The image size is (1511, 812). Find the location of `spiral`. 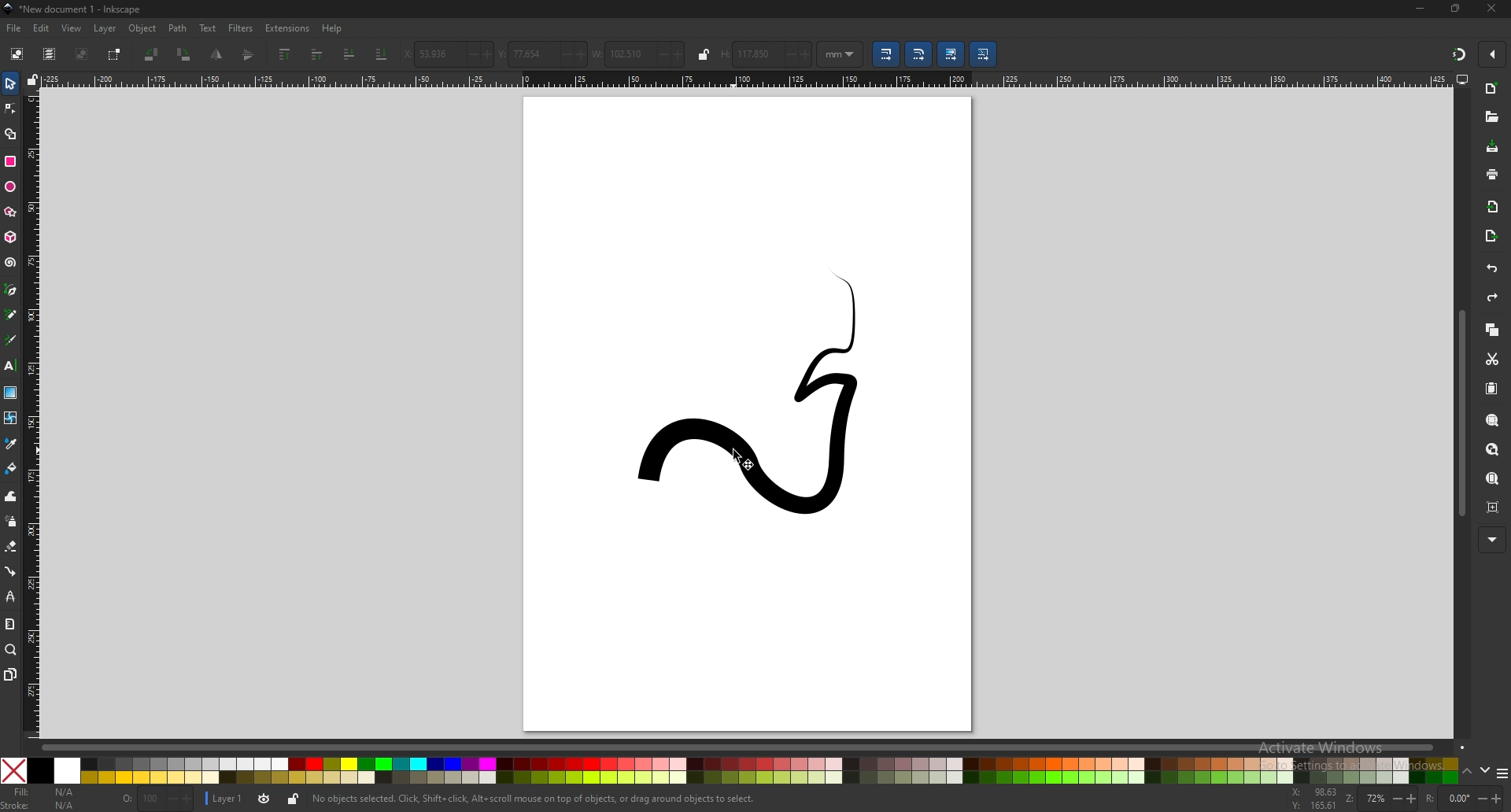

spiral is located at coordinates (10, 263).